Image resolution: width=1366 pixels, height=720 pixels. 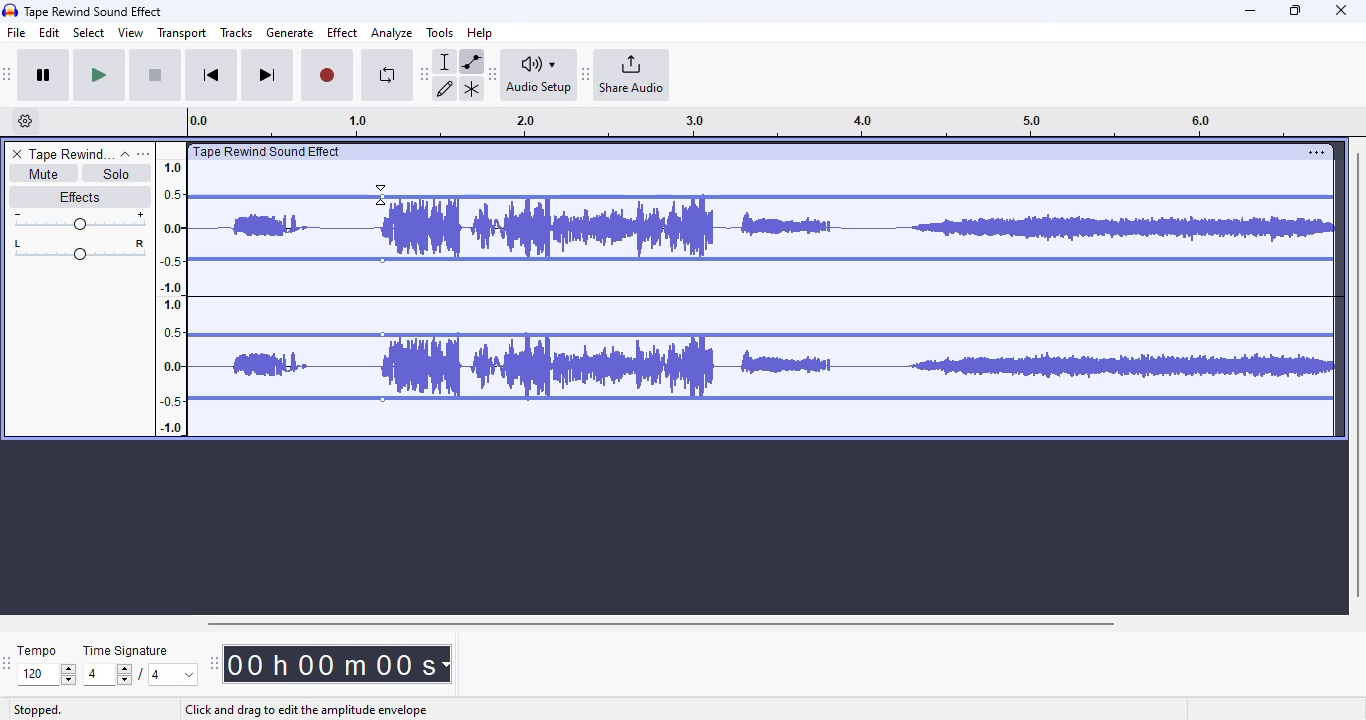 What do you see at coordinates (131, 33) in the screenshot?
I see `view` at bounding box center [131, 33].